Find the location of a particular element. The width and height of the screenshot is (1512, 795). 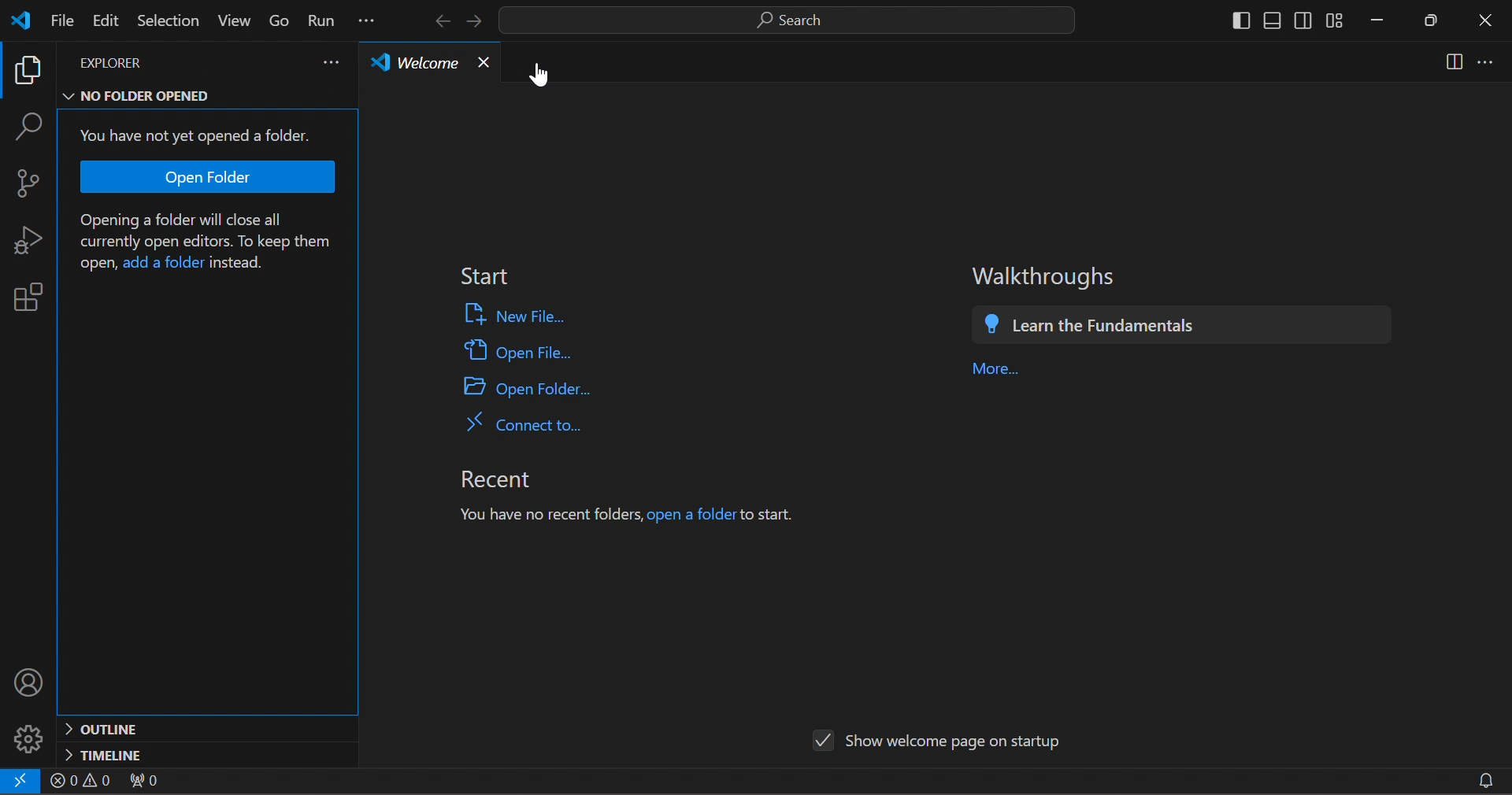

views is located at coordinates (1448, 62).